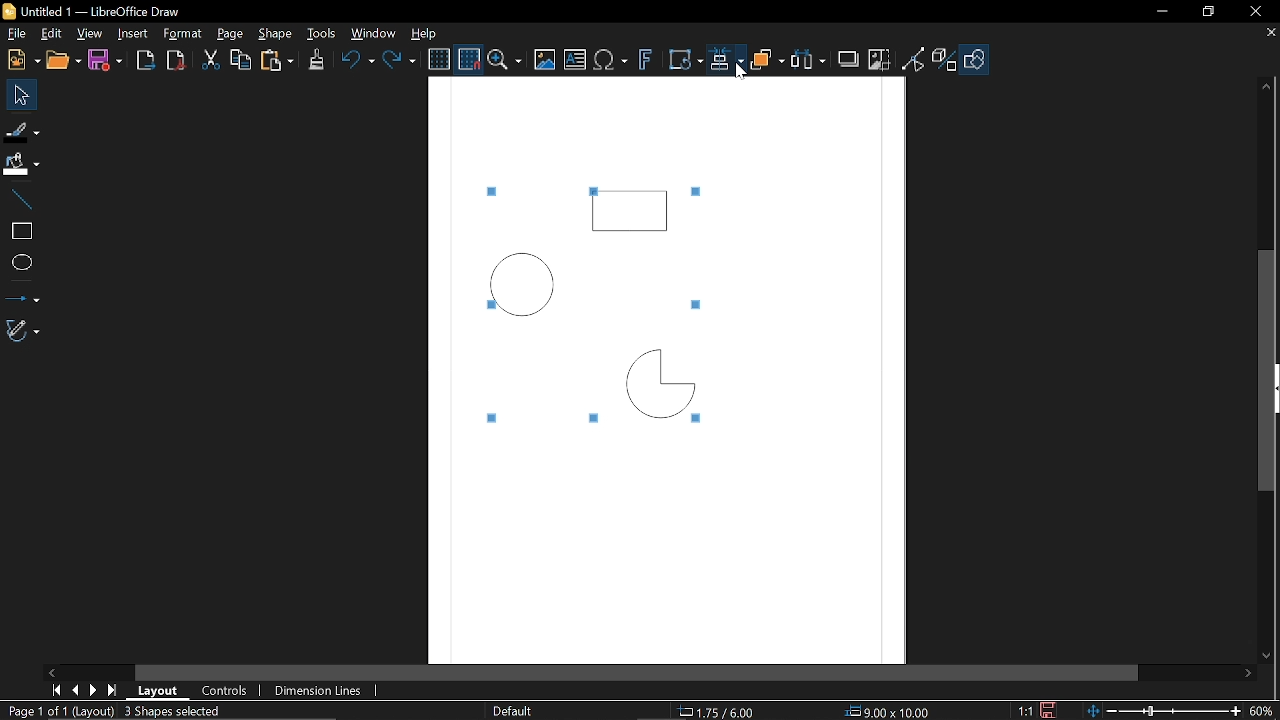  What do you see at coordinates (51, 672) in the screenshot?
I see `Move left` at bounding box center [51, 672].